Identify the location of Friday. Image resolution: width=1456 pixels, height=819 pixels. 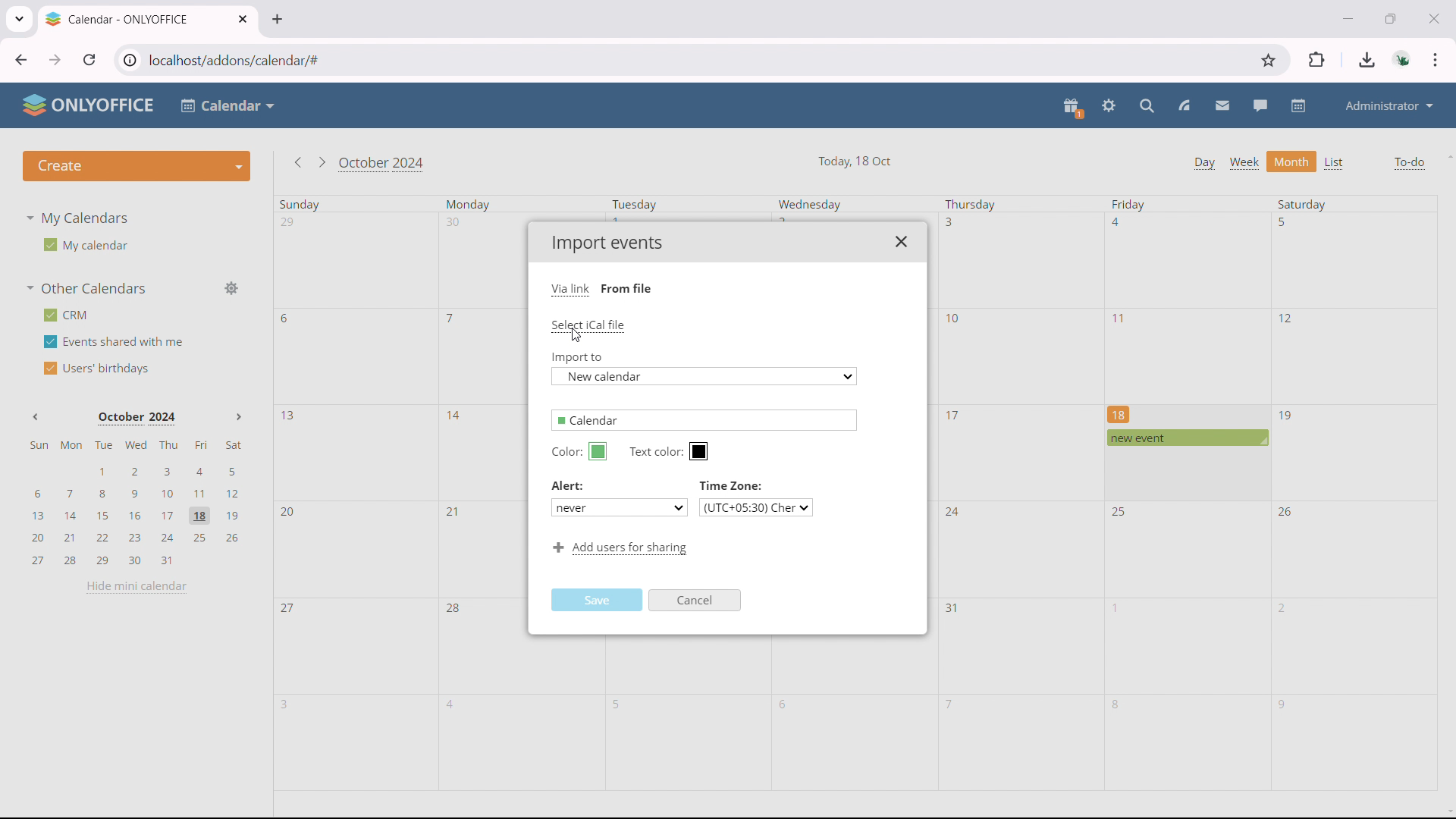
(1129, 205).